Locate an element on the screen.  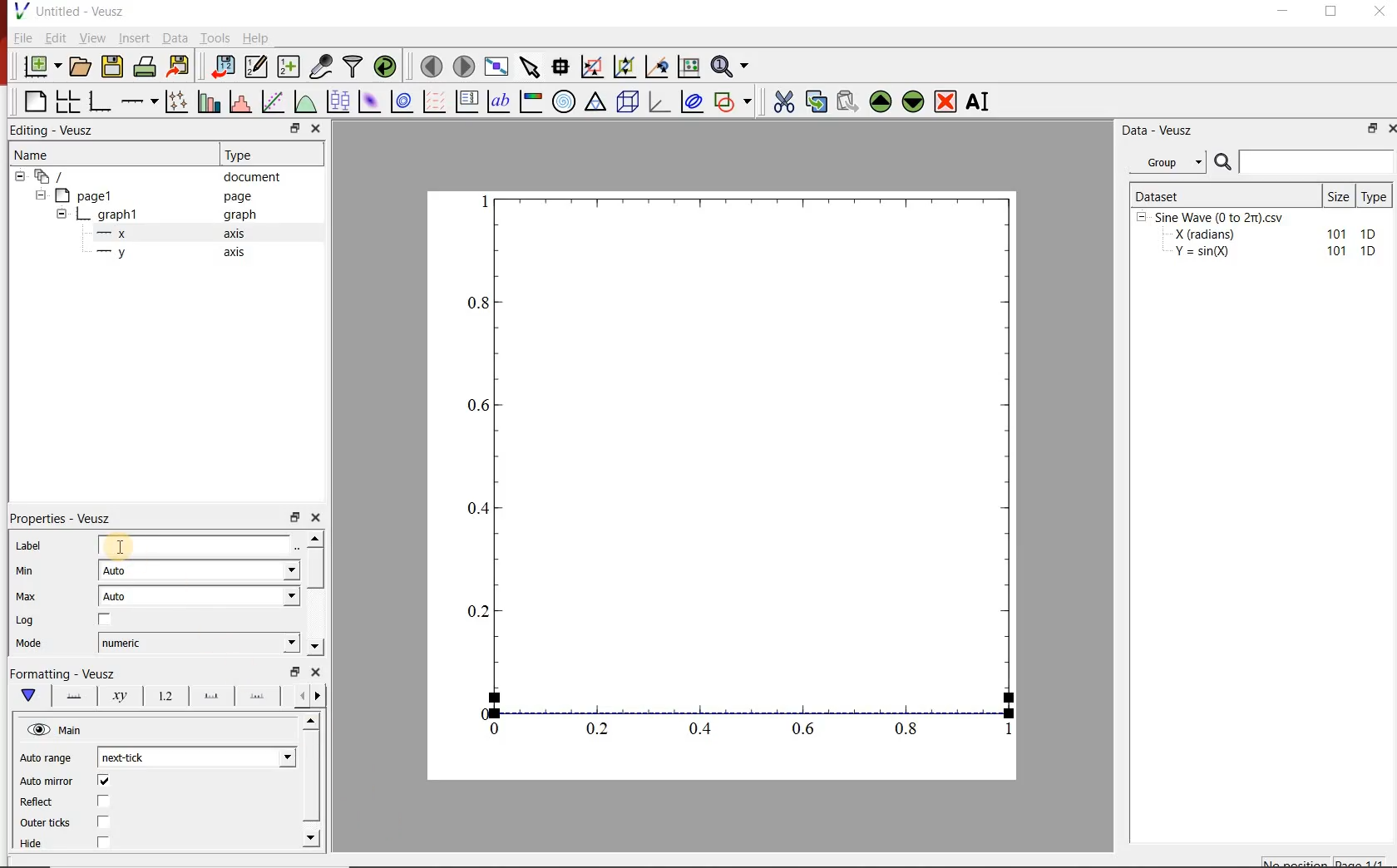
click to recentre graph is located at coordinates (657, 64).